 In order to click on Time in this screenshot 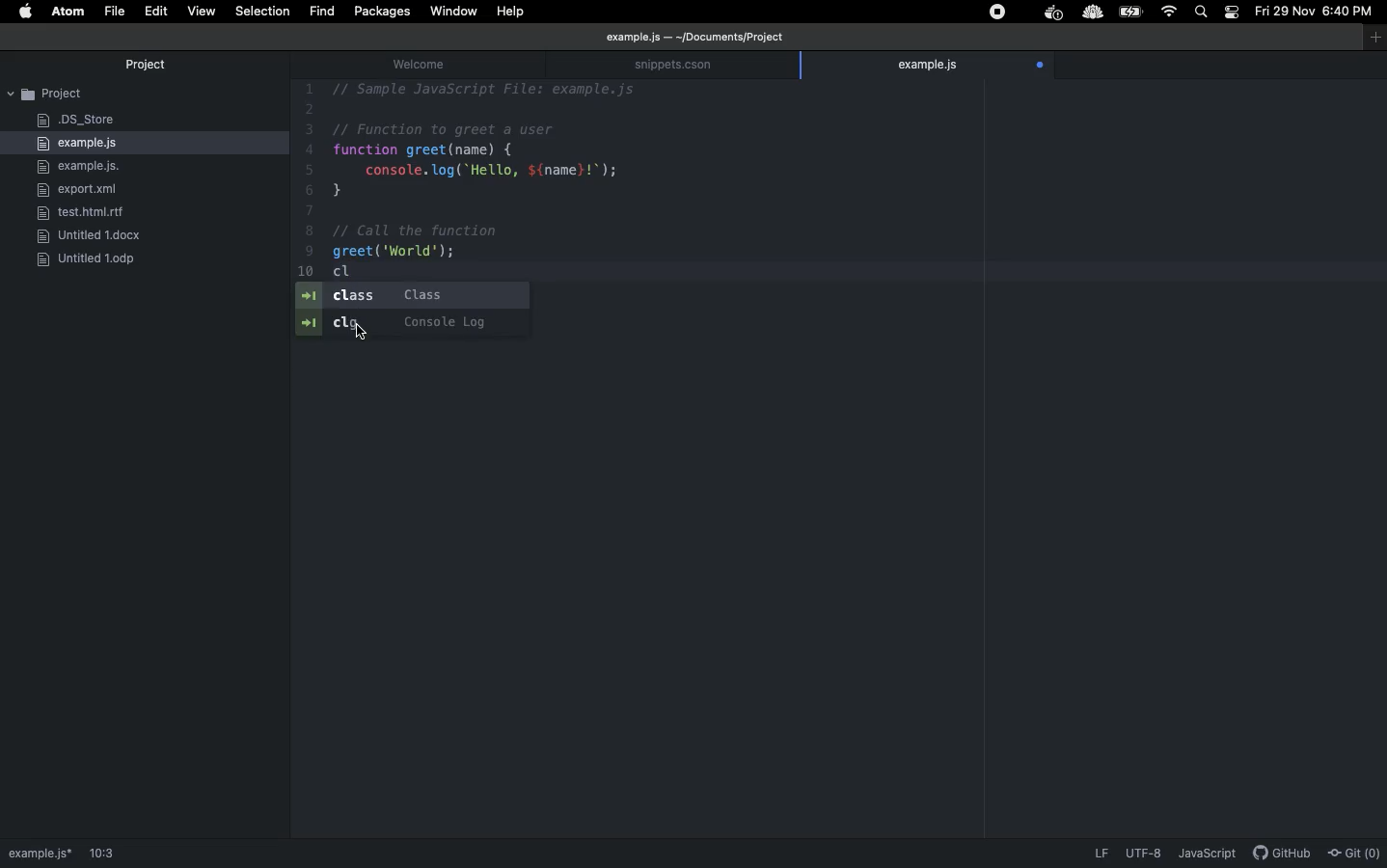, I will do `click(1352, 14)`.